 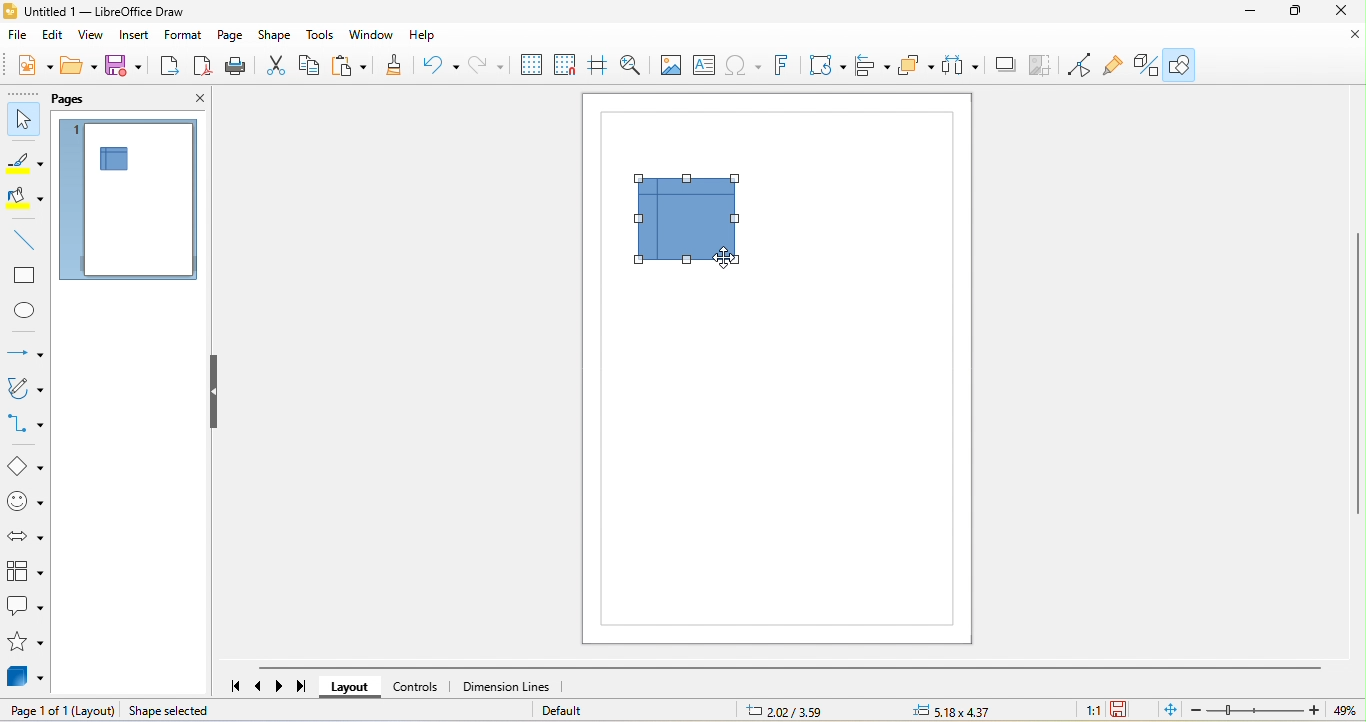 What do you see at coordinates (27, 644) in the screenshot?
I see `star and banners` at bounding box center [27, 644].